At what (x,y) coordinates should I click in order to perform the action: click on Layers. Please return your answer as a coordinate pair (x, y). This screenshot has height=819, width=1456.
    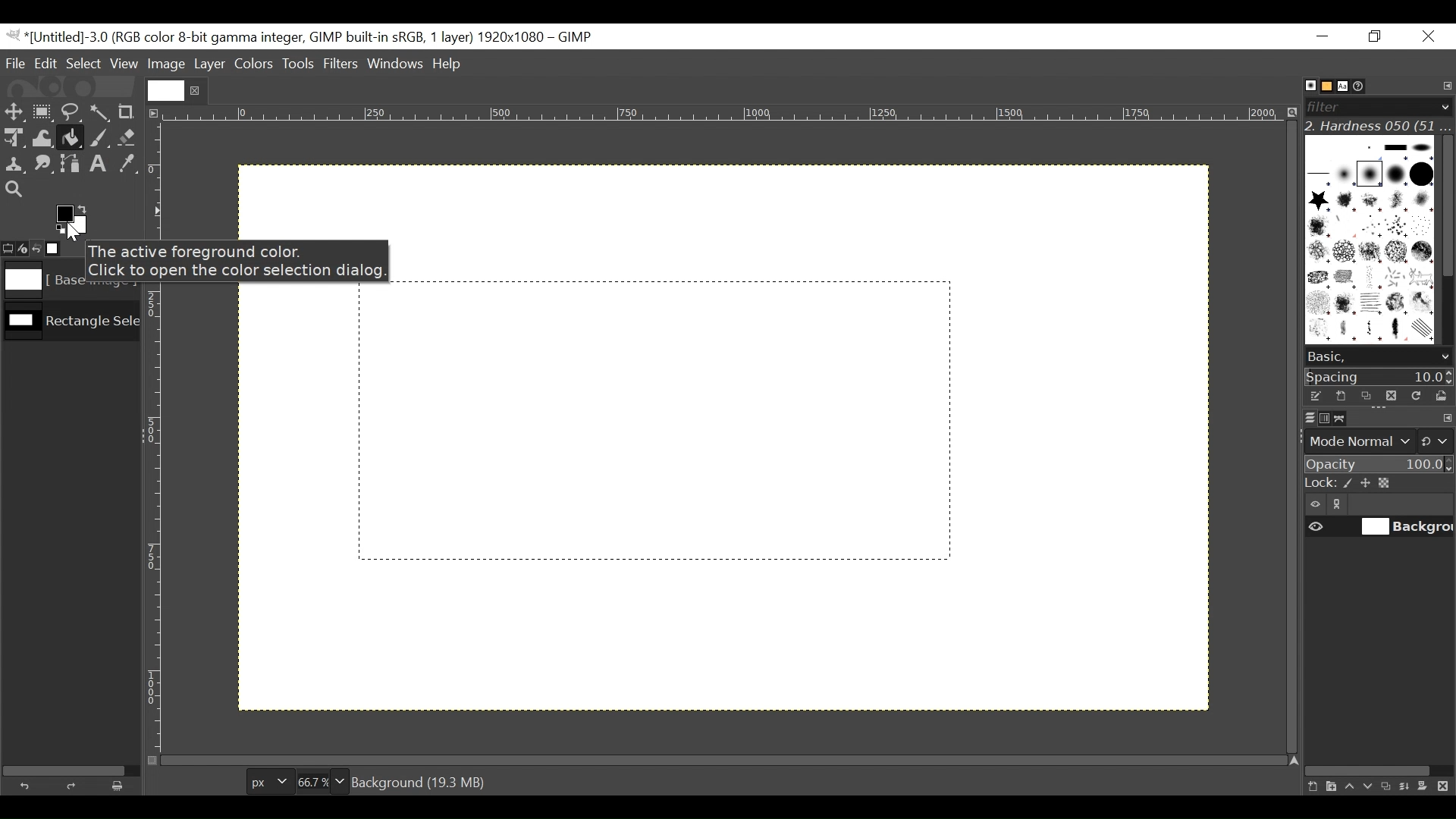
    Looking at the image, I should click on (1301, 417).